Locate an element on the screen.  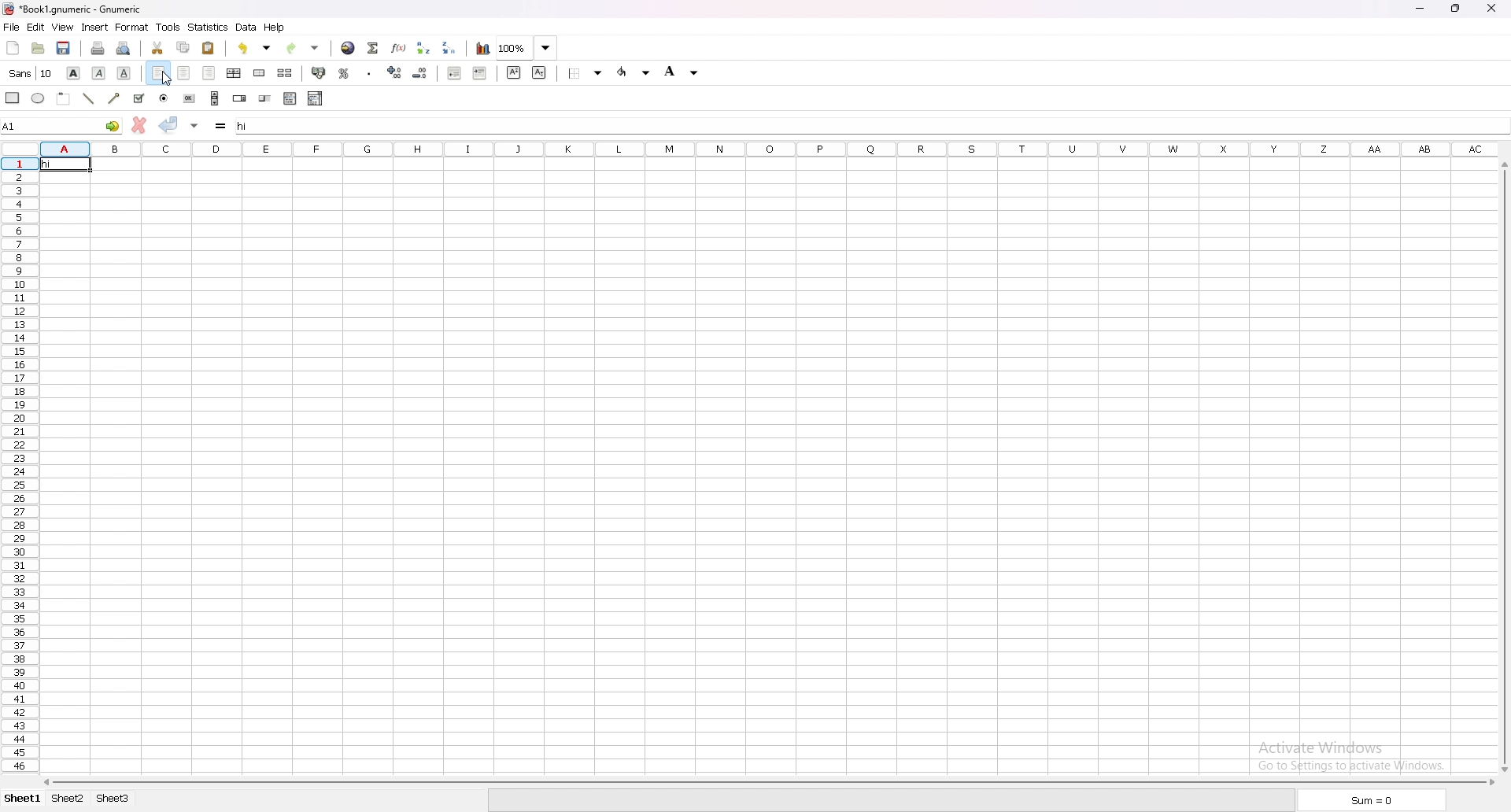
hyperlink is located at coordinates (347, 49).